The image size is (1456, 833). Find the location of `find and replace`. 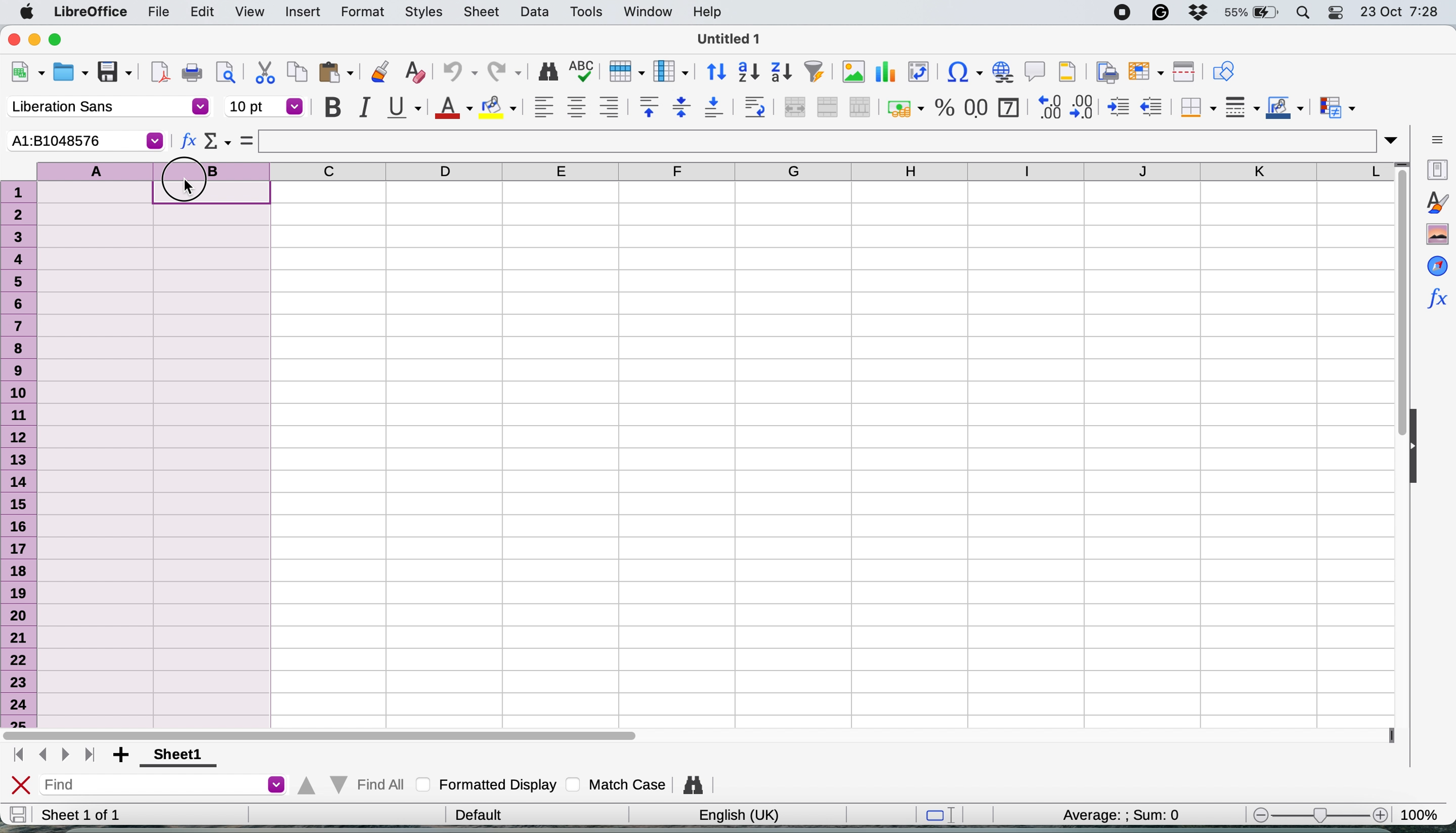

find and replace is located at coordinates (690, 786).